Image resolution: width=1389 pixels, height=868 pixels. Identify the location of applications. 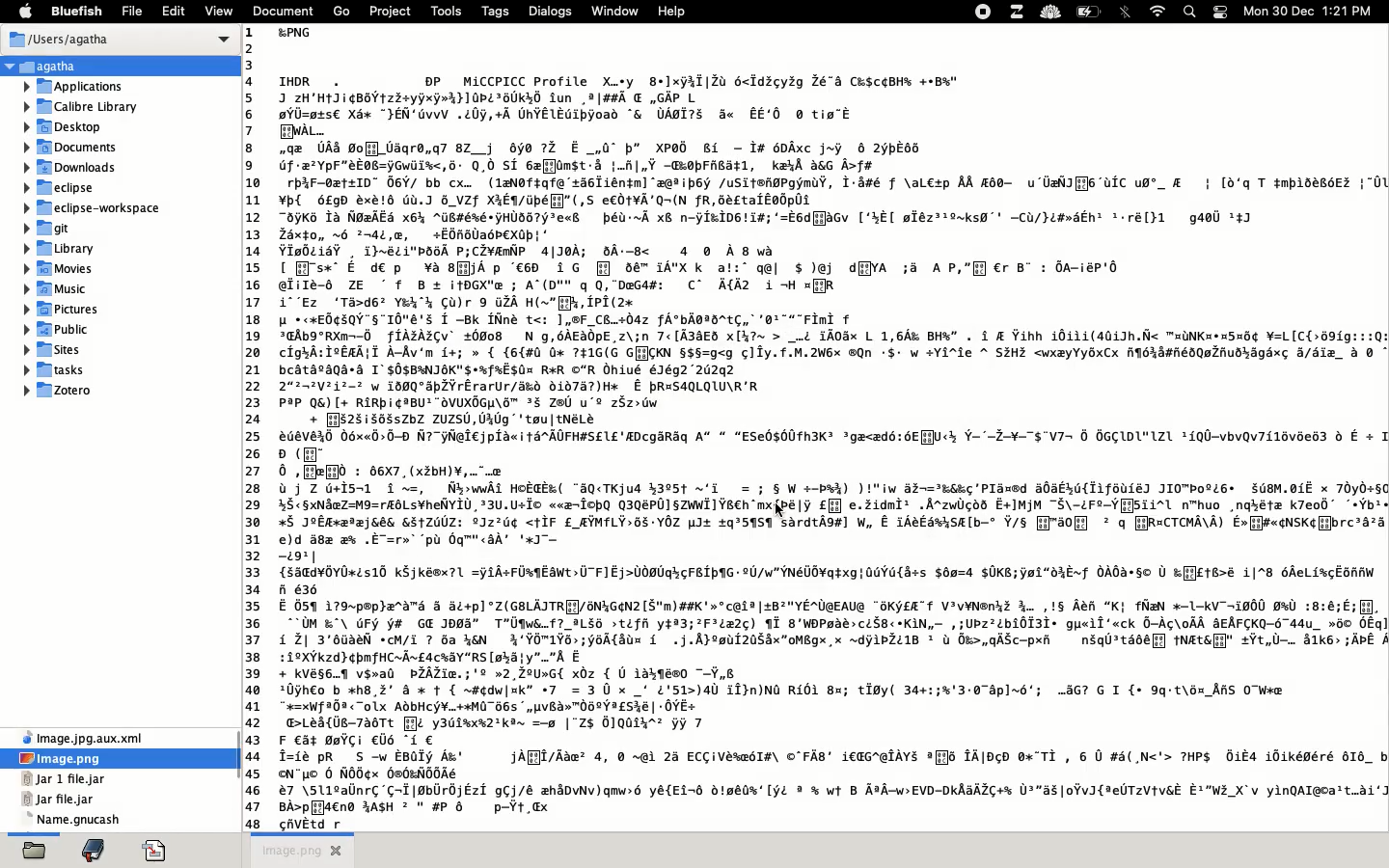
(72, 87).